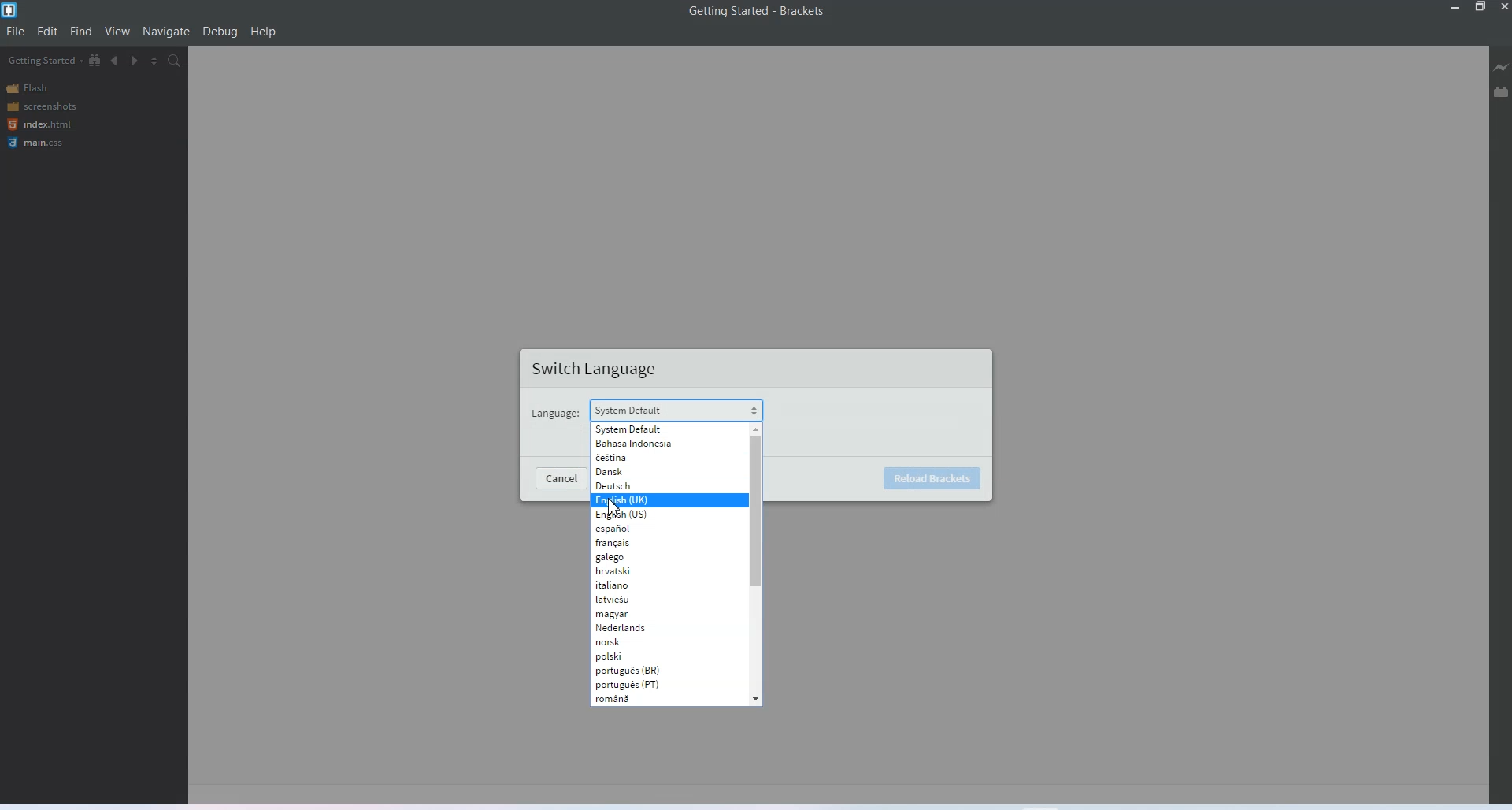  What do you see at coordinates (166, 32) in the screenshot?
I see `Navigate` at bounding box center [166, 32].